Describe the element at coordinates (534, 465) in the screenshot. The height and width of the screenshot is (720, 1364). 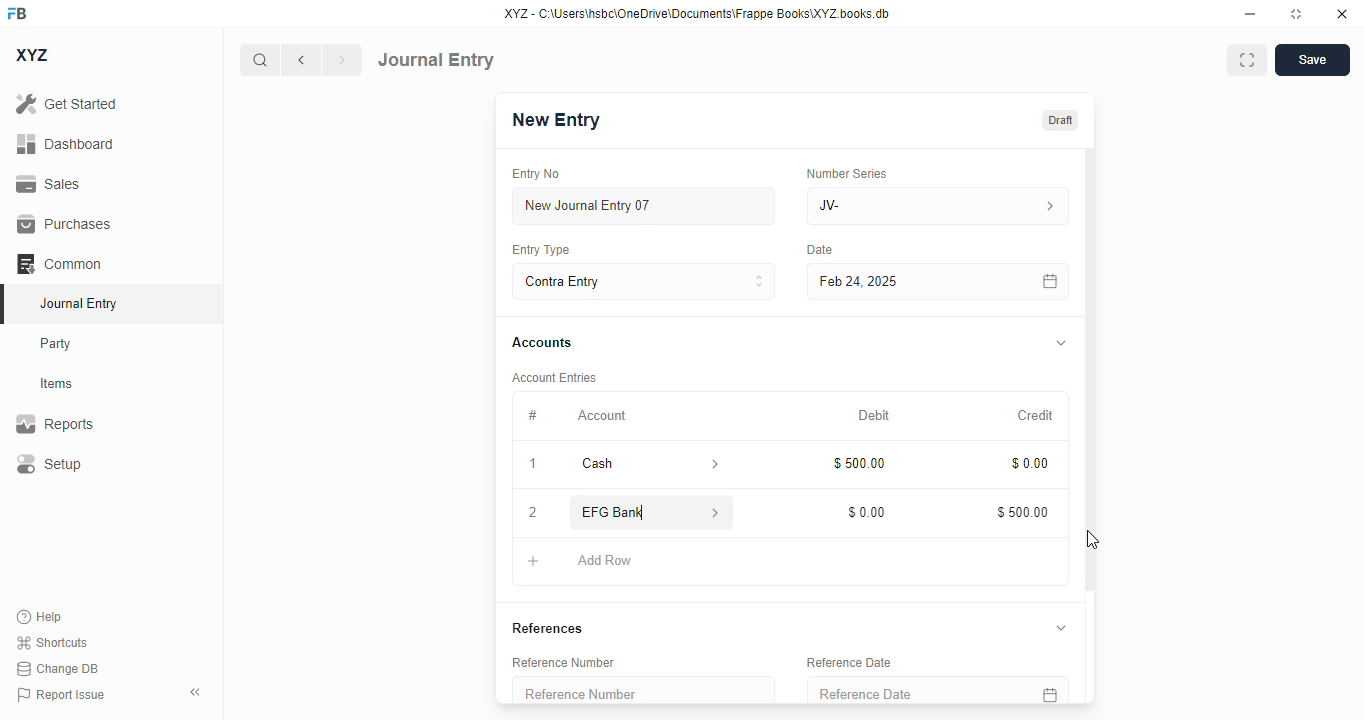
I see `1` at that location.